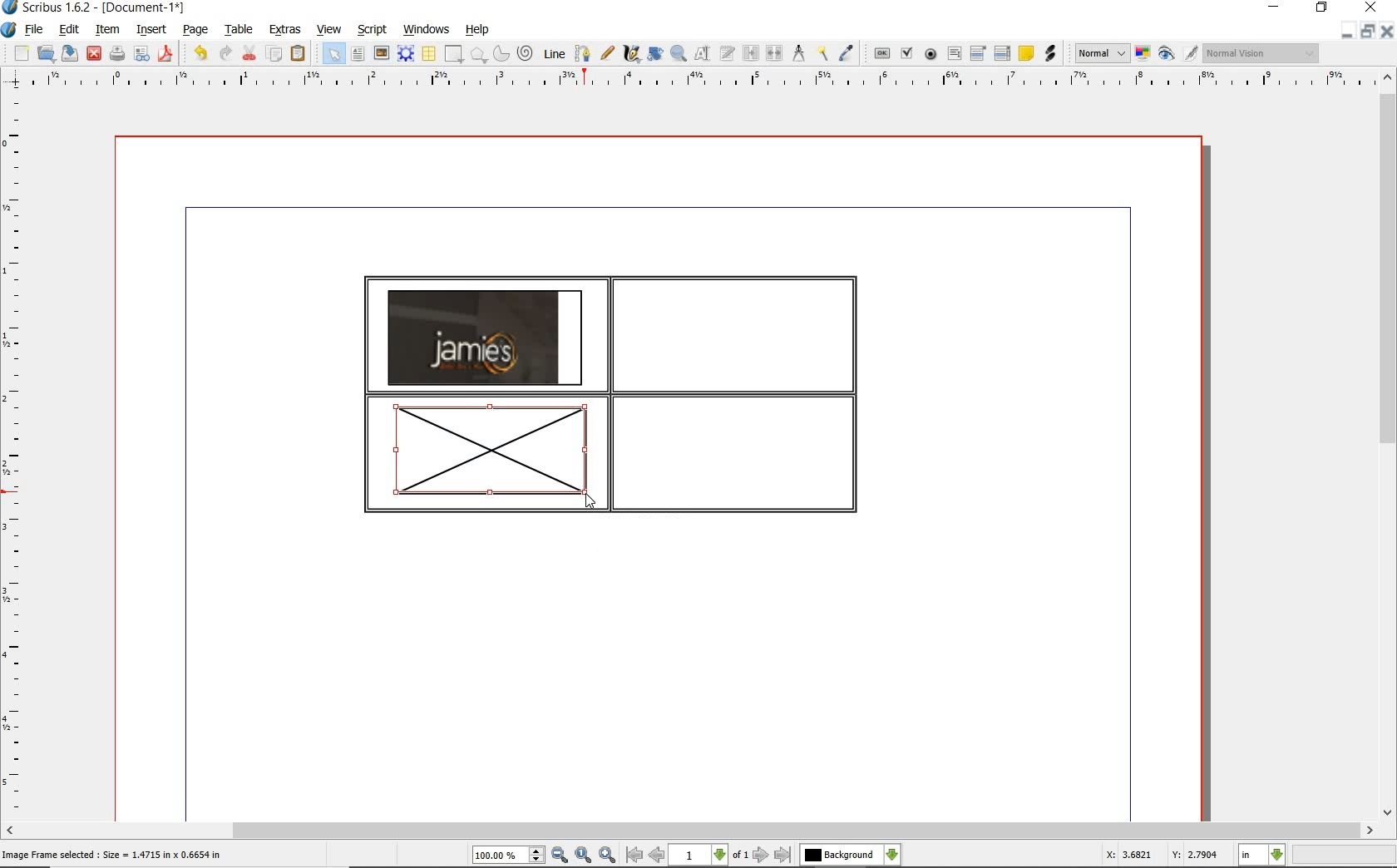 This screenshot has height=868, width=1397. I want to click on print, so click(116, 53).